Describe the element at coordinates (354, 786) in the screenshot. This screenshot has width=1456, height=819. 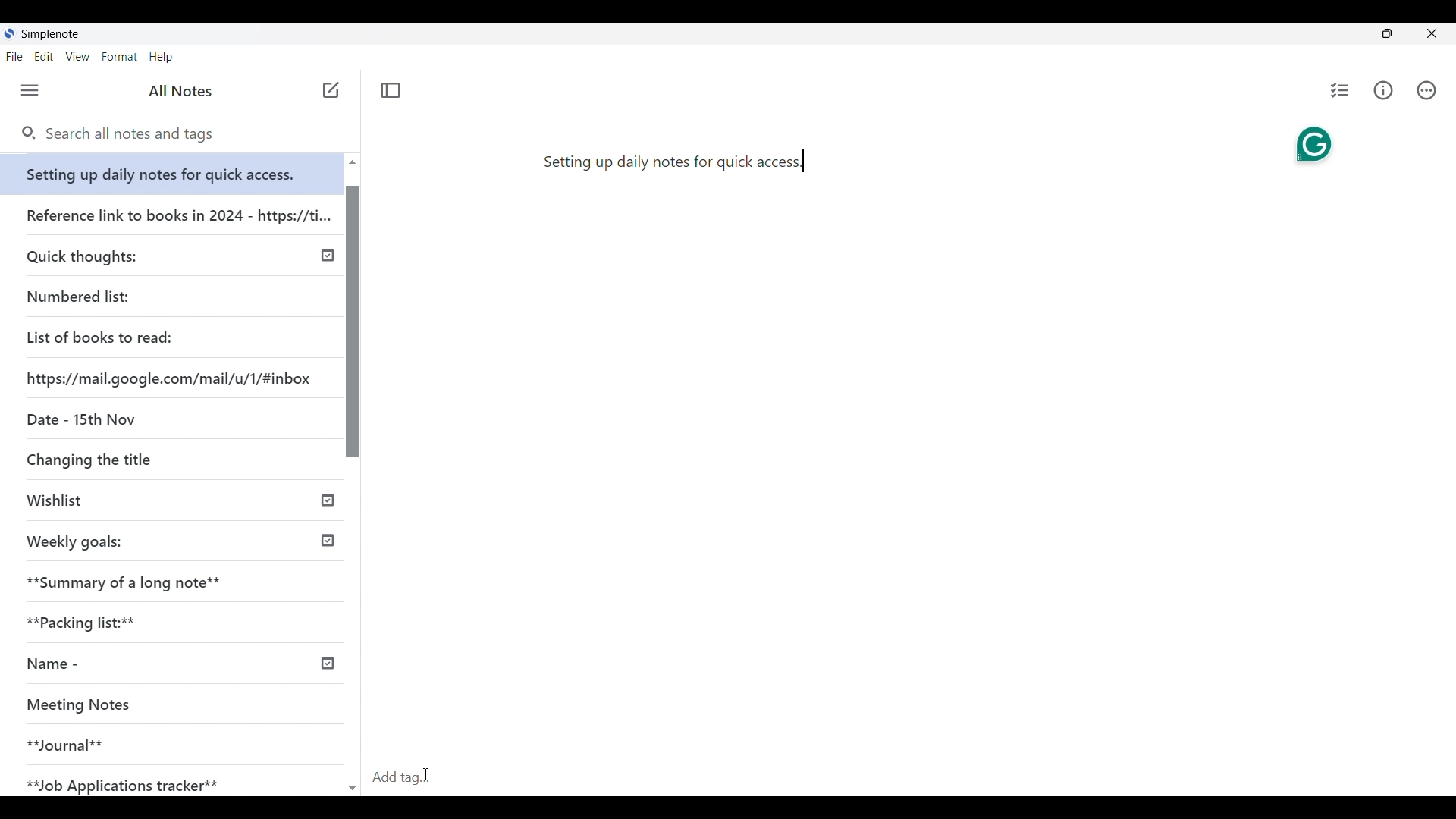
I see `Quick slide to back` at that location.